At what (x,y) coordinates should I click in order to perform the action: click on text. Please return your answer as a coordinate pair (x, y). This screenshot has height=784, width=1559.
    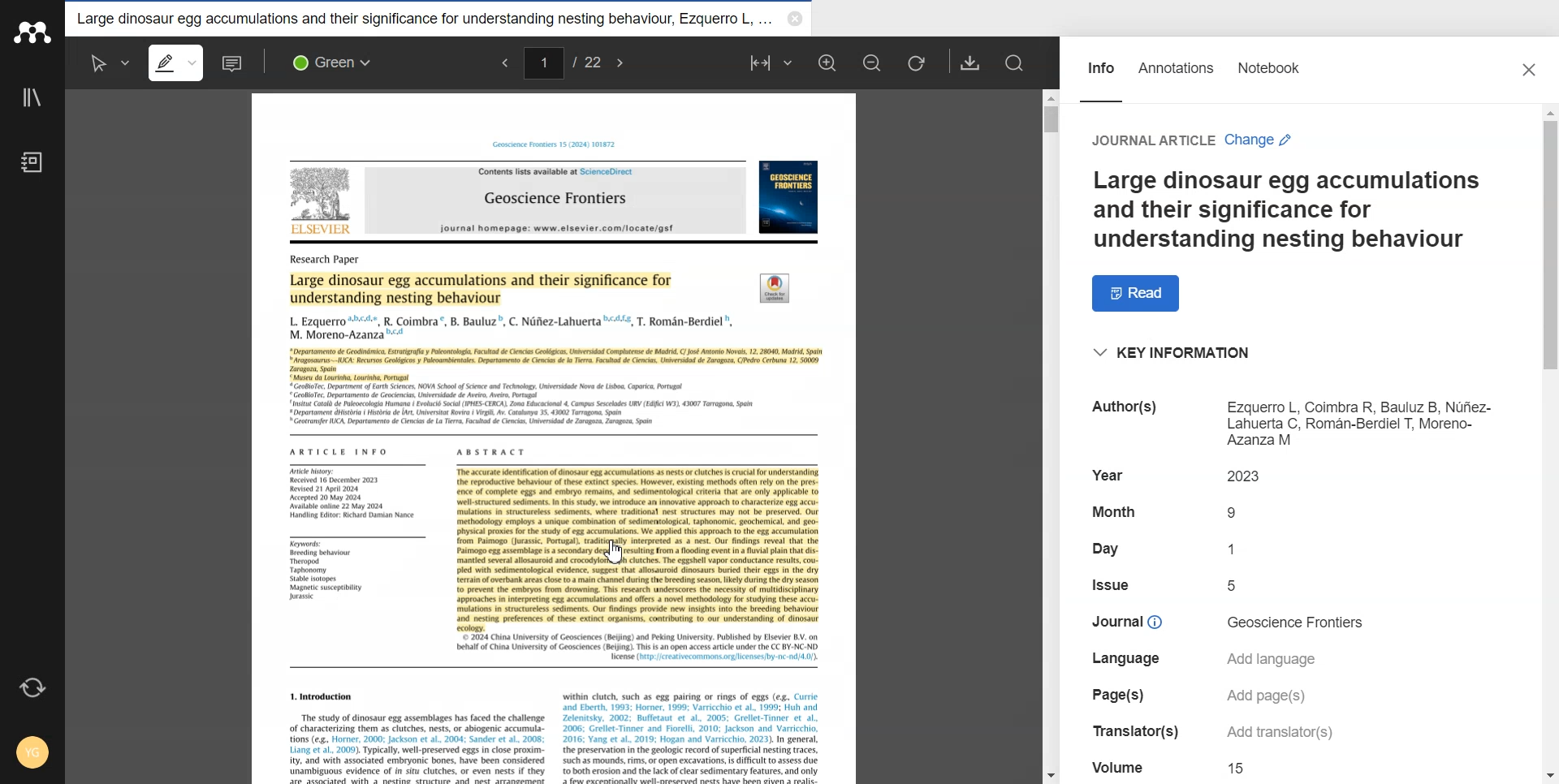
    Looking at the image, I should click on (1108, 474).